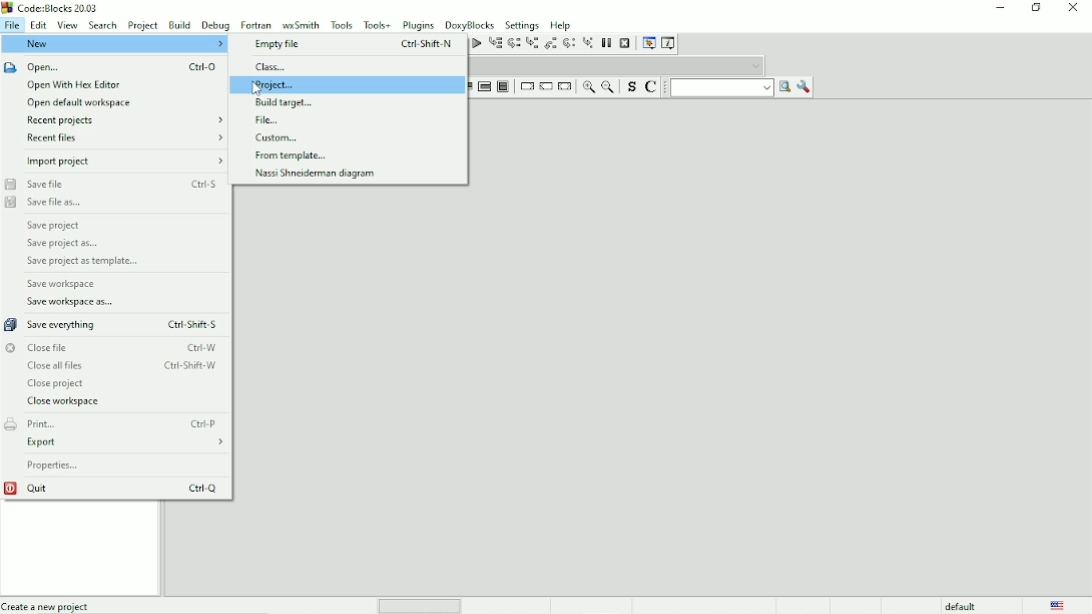 This screenshot has height=614, width=1092. Describe the element at coordinates (50, 8) in the screenshot. I see `Title` at that location.